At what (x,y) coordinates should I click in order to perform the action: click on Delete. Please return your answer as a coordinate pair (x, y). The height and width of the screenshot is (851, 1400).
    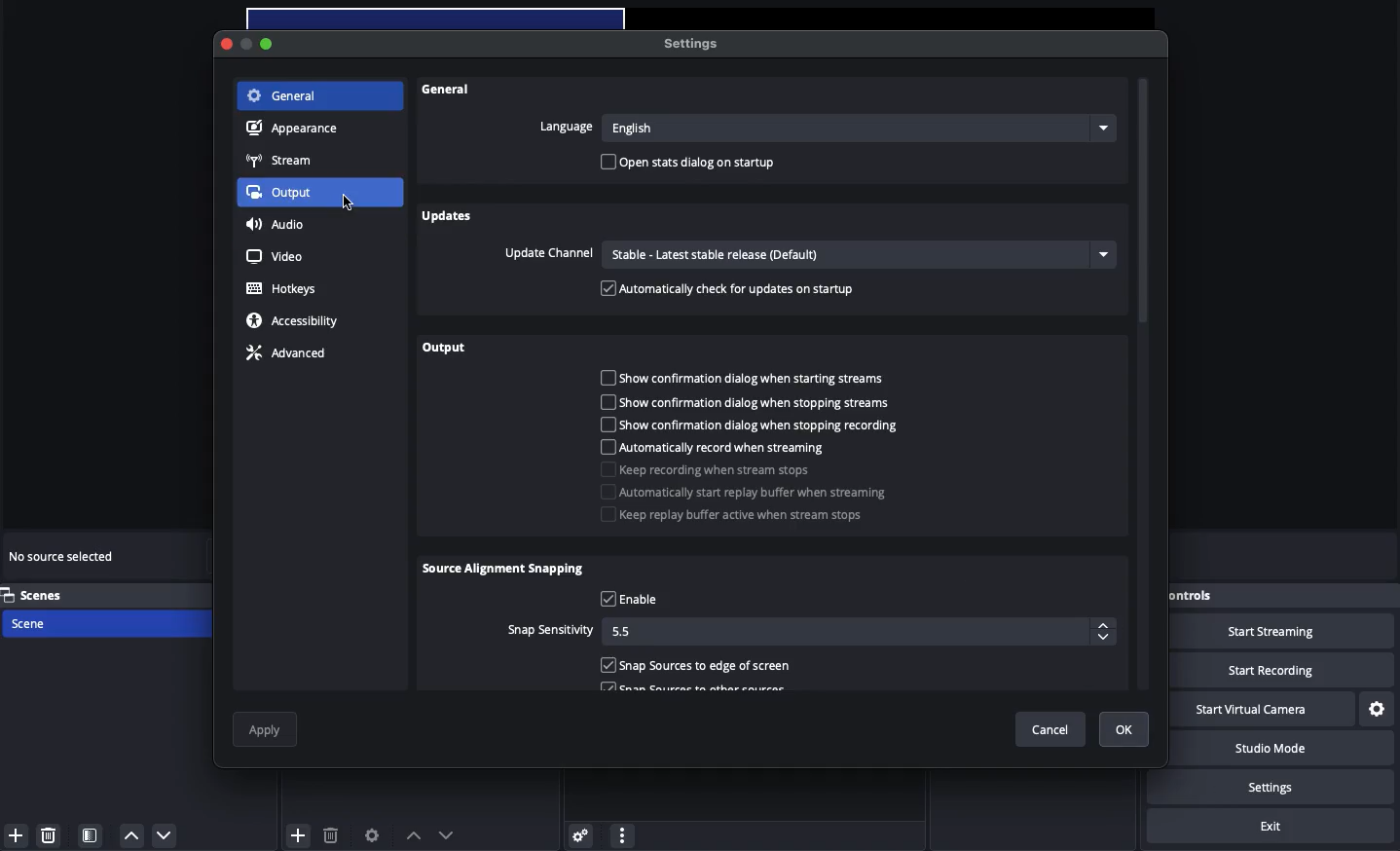
    Looking at the image, I should click on (51, 834).